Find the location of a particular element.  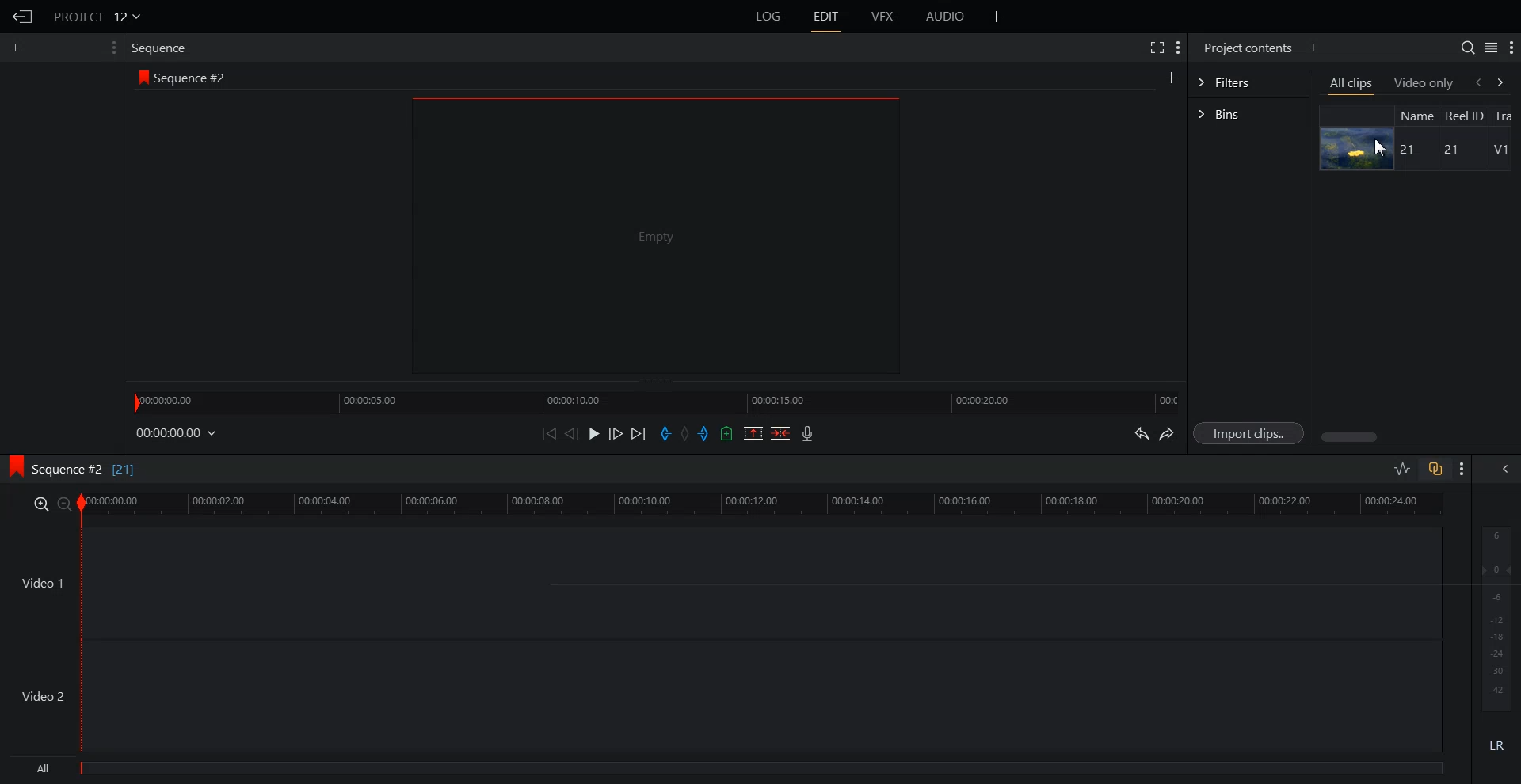

Sequence #2 [21] is located at coordinates (85, 470).